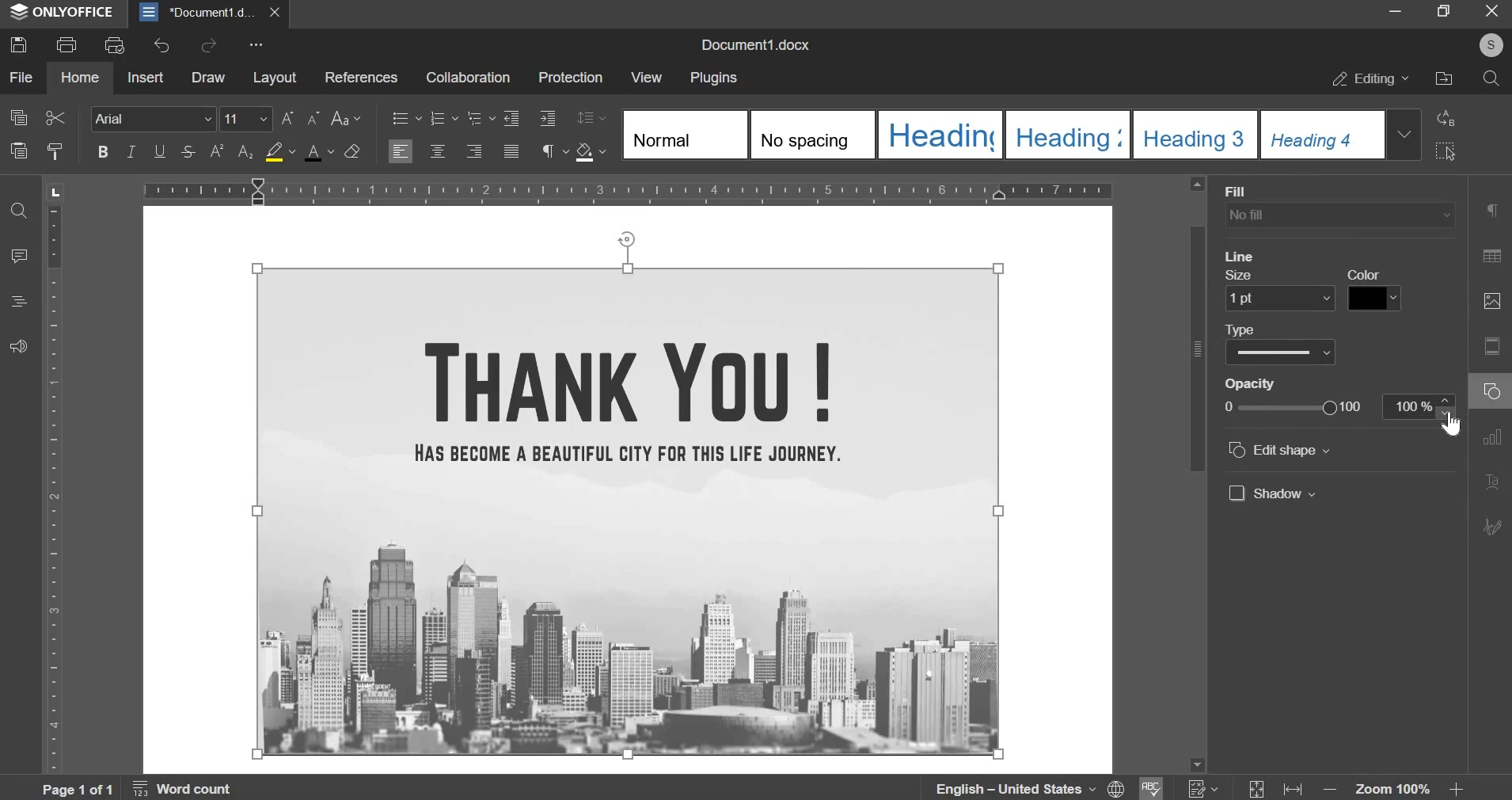 The height and width of the screenshot is (800, 1512). What do you see at coordinates (1495, 481) in the screenshot?
I see `TextArt` at bounding box center [1495, 481].